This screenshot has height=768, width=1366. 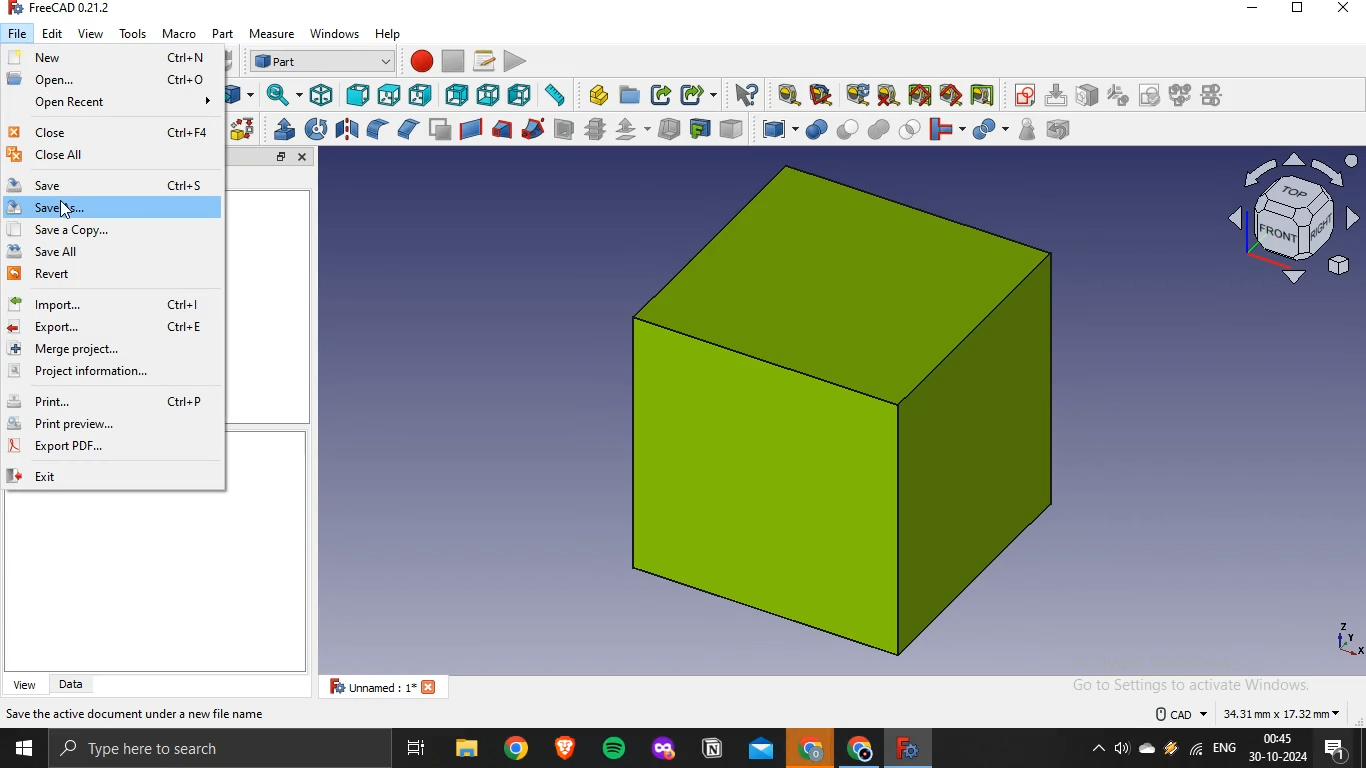 I want to click on help, so click(x=389, y=33).